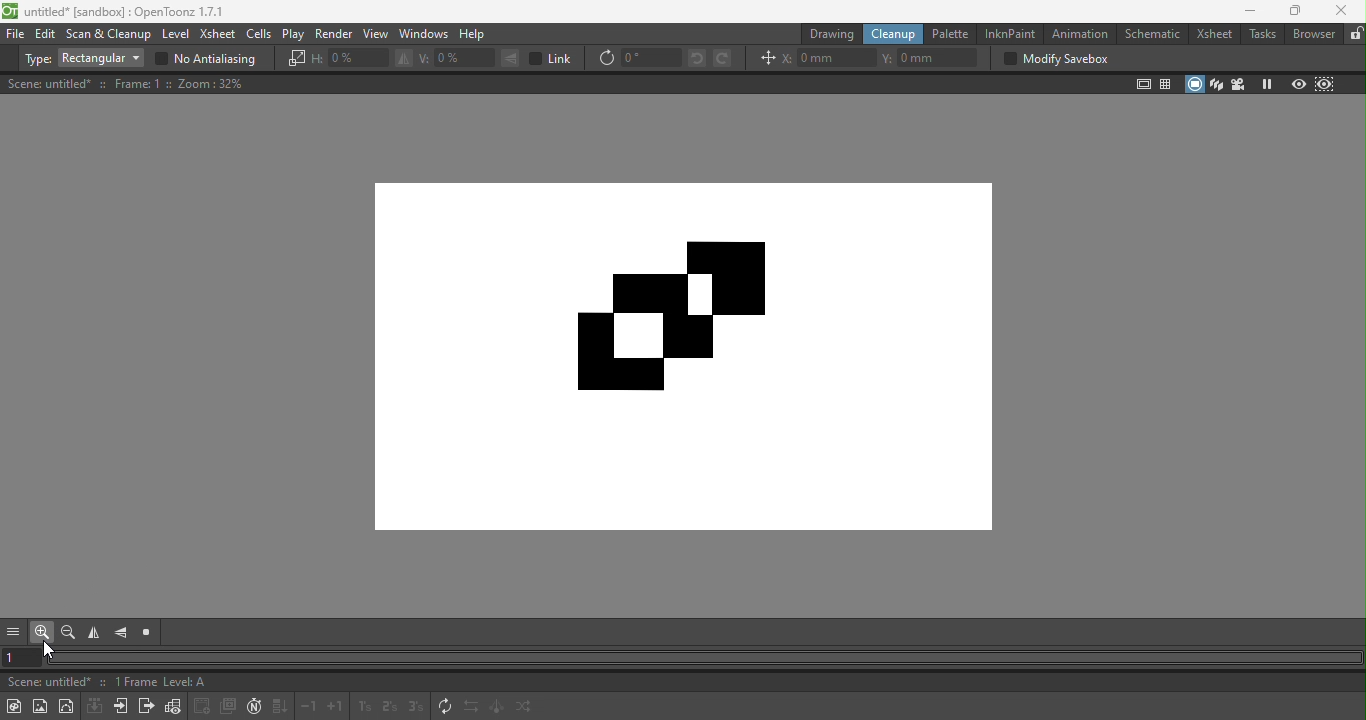 The width and height of the screenshot is (1366, 720). Describe the element at coordinates (471, 708) in the screenshot. I see `Reverse` at that location.